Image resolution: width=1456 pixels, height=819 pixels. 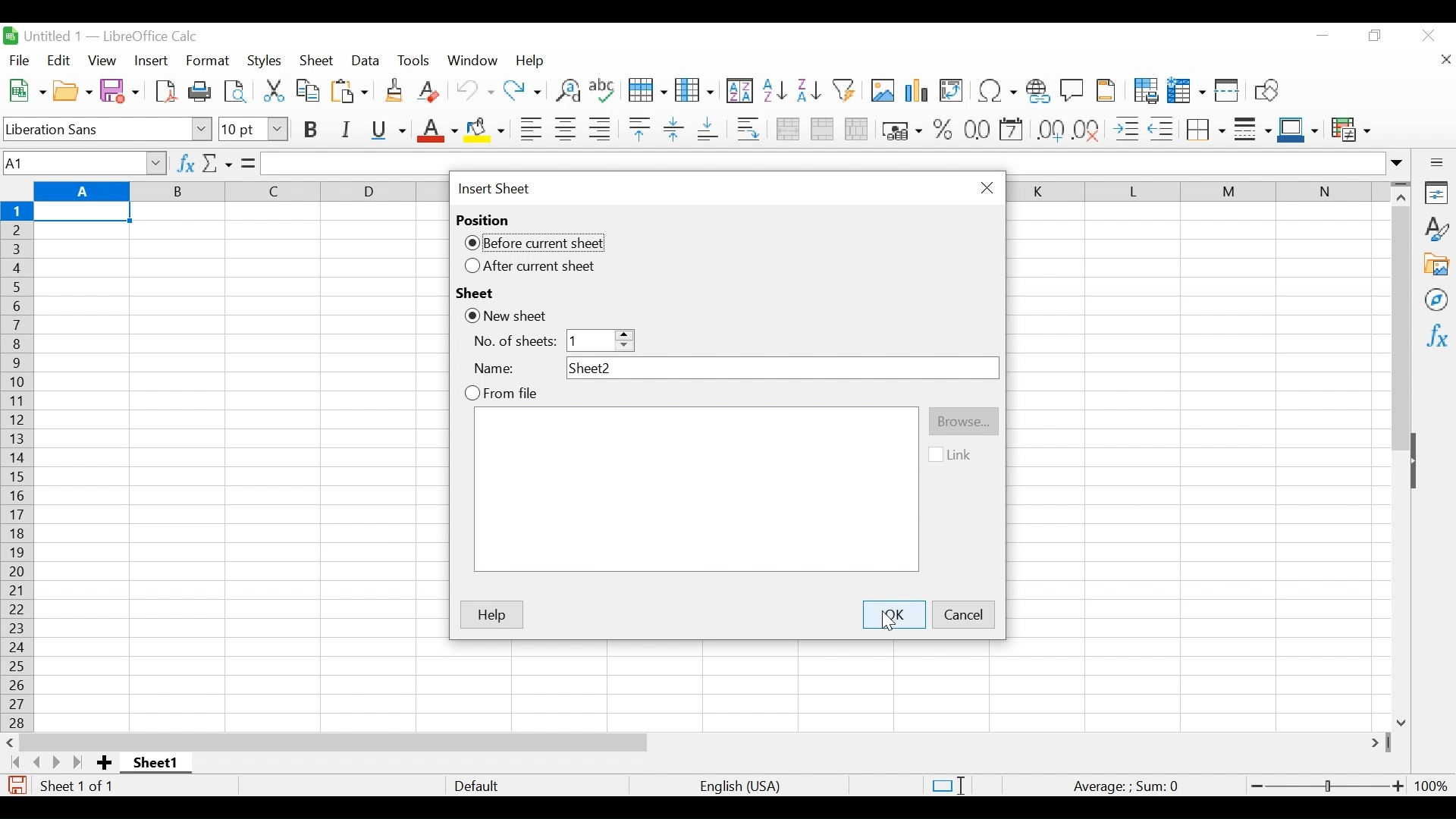 I want to click on Close, so click(x=986, y=187).